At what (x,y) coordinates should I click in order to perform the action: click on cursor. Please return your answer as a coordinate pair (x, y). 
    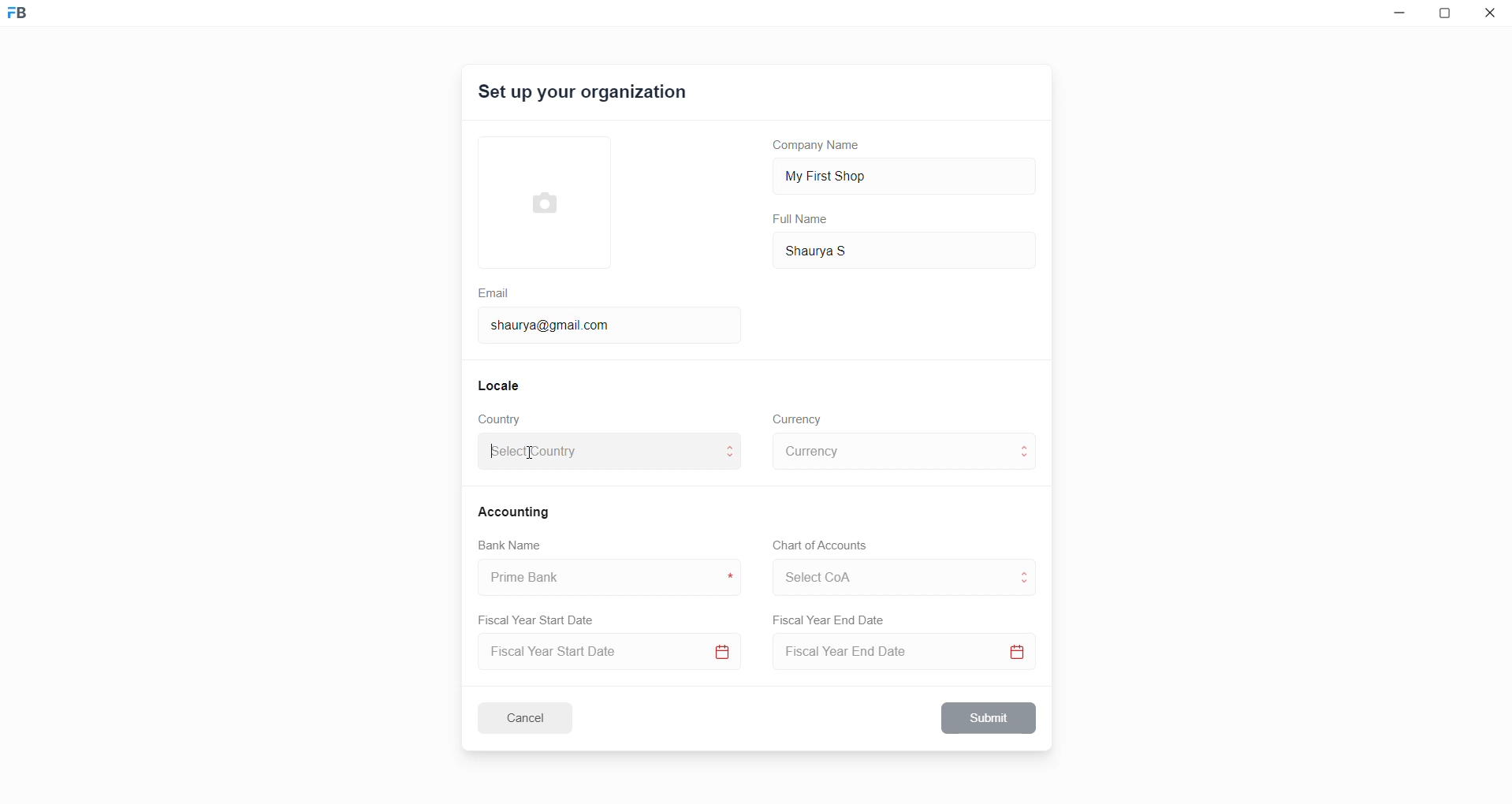
    Looking at the image, I should click on (526, 453).